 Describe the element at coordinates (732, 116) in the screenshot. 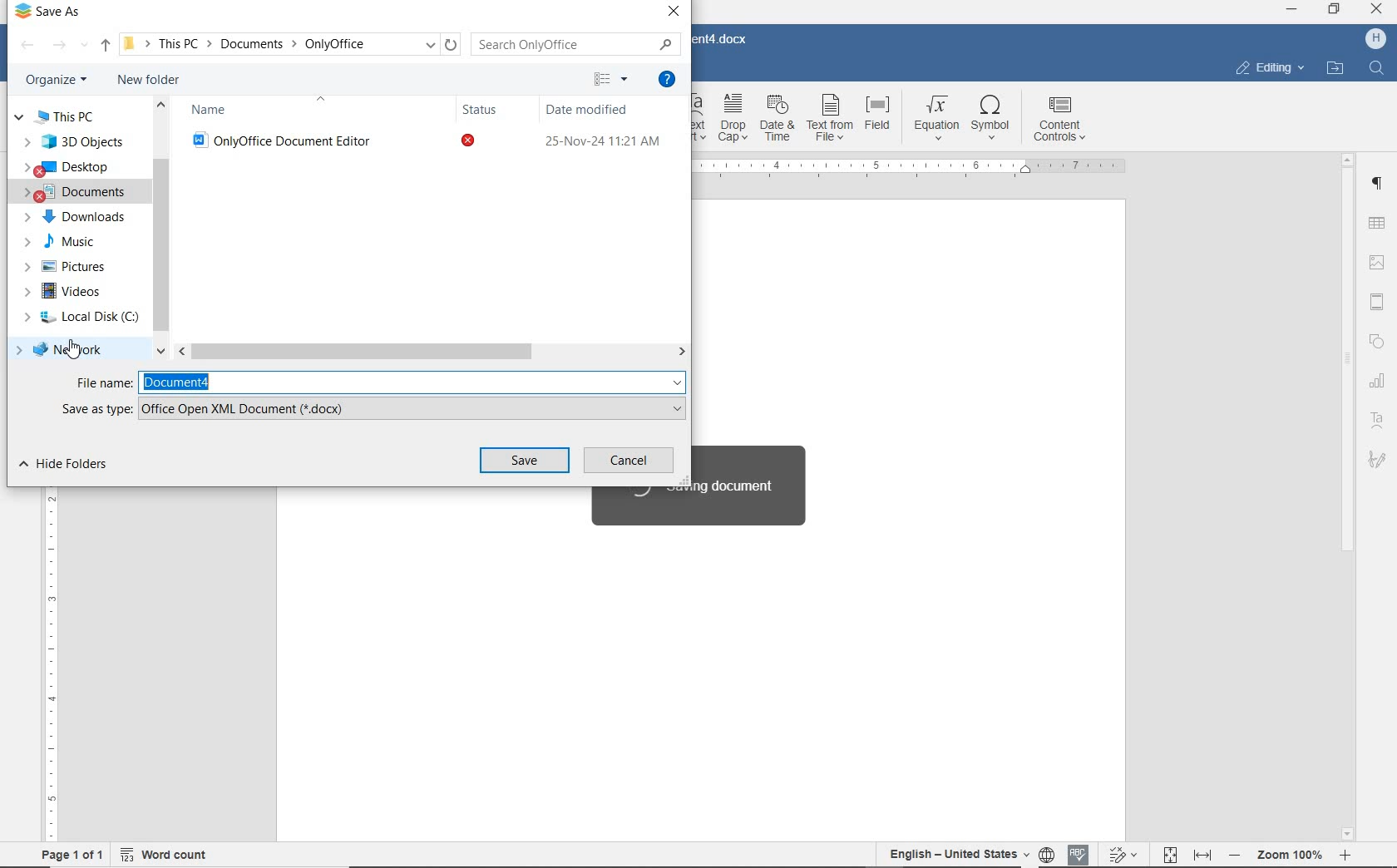

I see `drop cap` at that location.